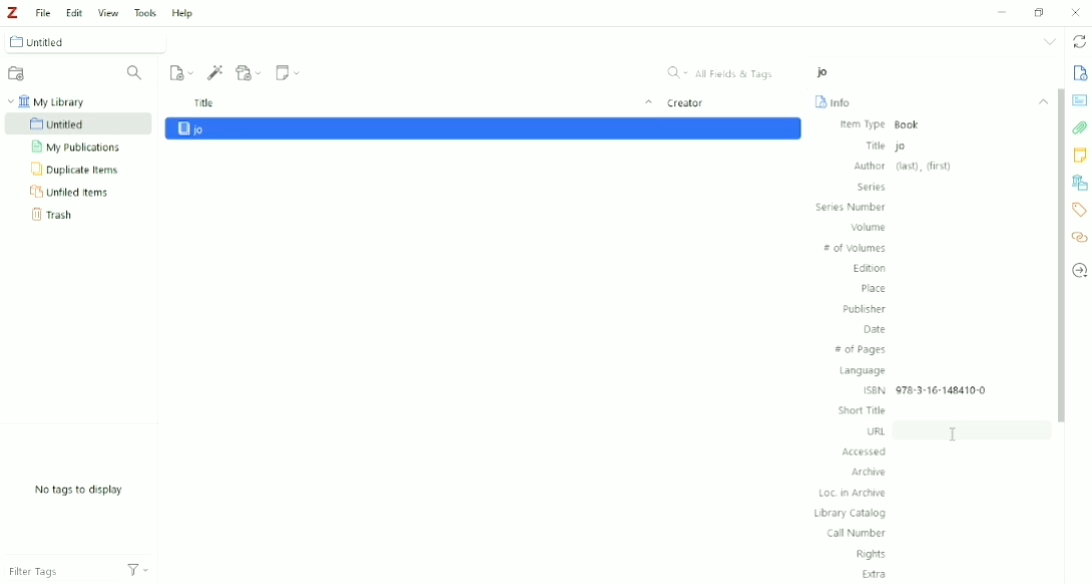 The height and width of the screenshot is (584, 1092). I want to click on Add Item (s) by Identifier, so click(214, 71).